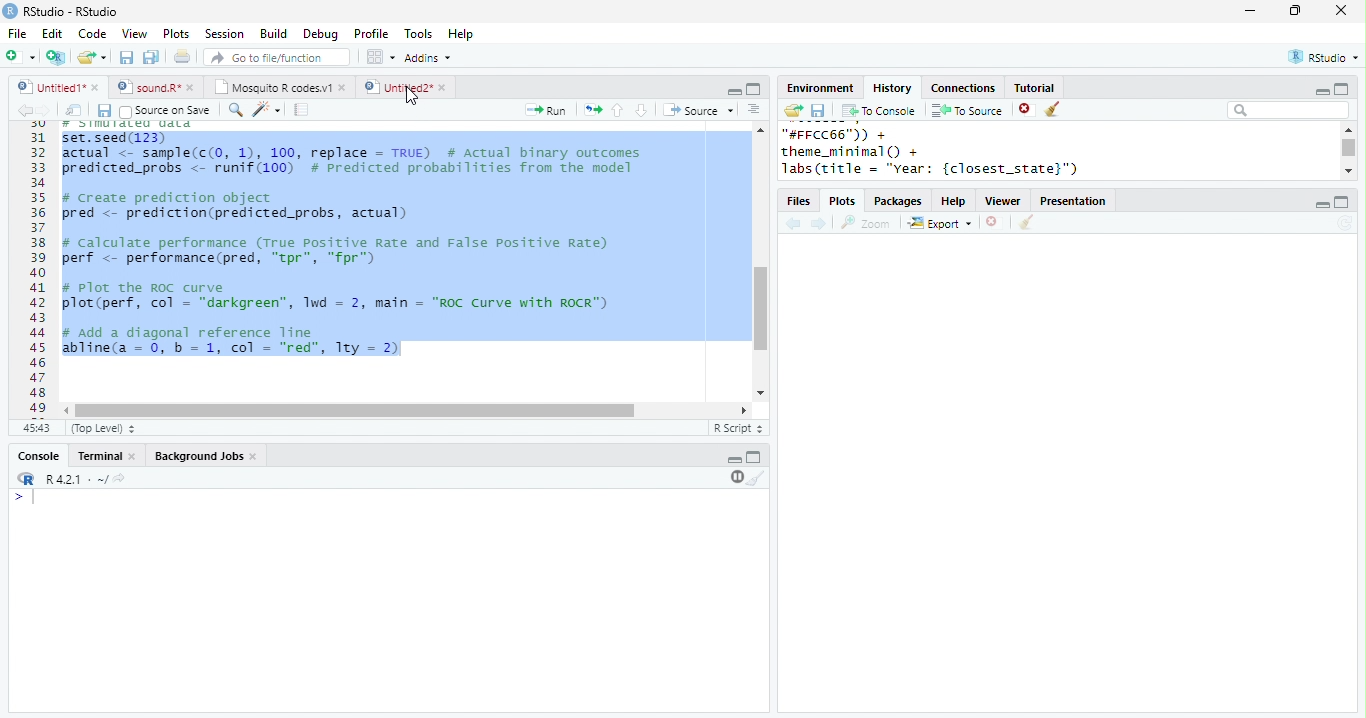  What do you see at coordinates (397, 86) in the screenshot?
I see `Untitled 2` at bounding box center [397, 86].